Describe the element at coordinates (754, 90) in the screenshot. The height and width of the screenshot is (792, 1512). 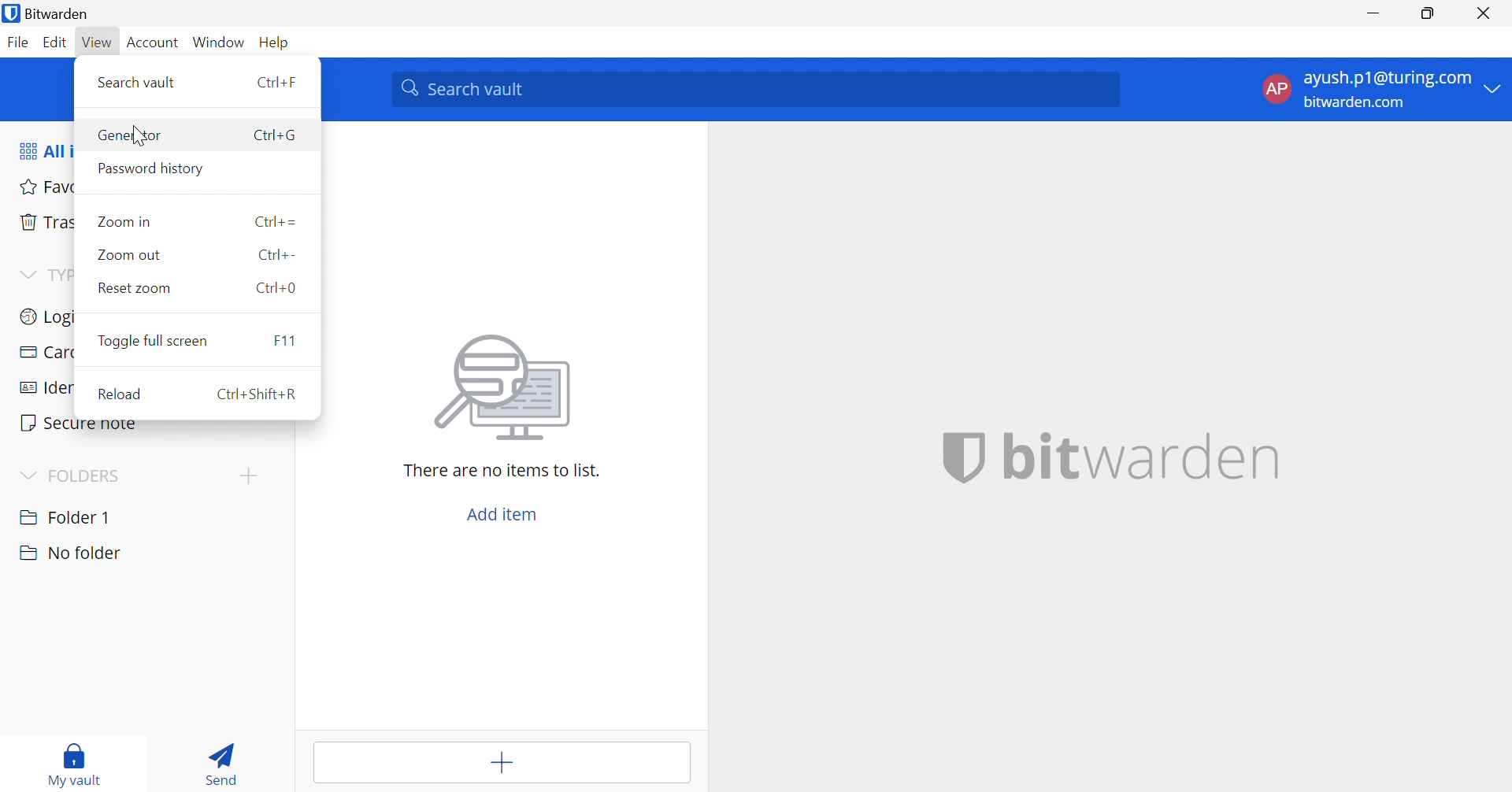
I see `Search vault` at that location.